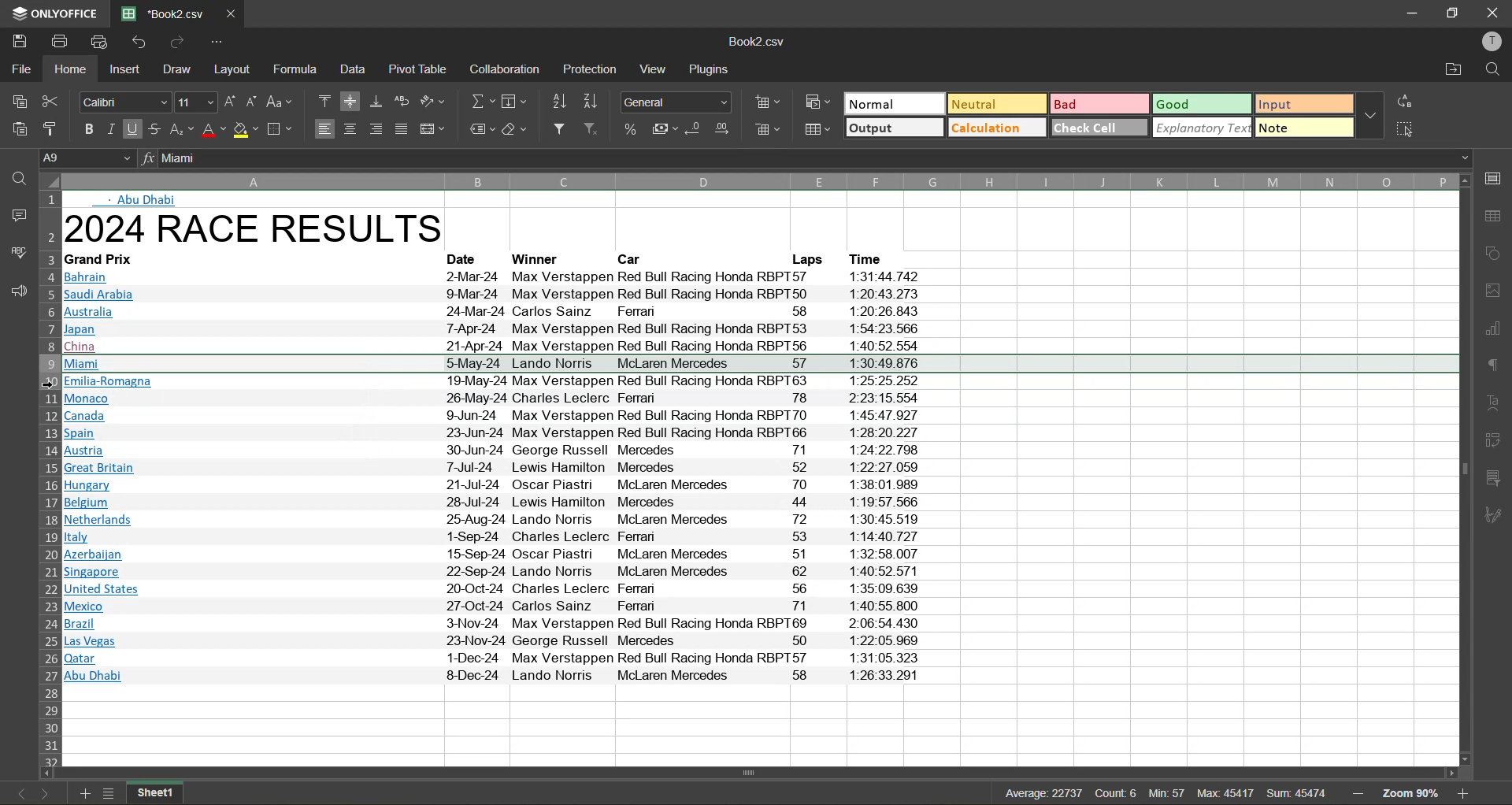 This screenshot has width=1512, height=805. What do you see at coordinates (1117, 793) in the screenshot?
I see `count: 6` at bounding box center [1117, 793].